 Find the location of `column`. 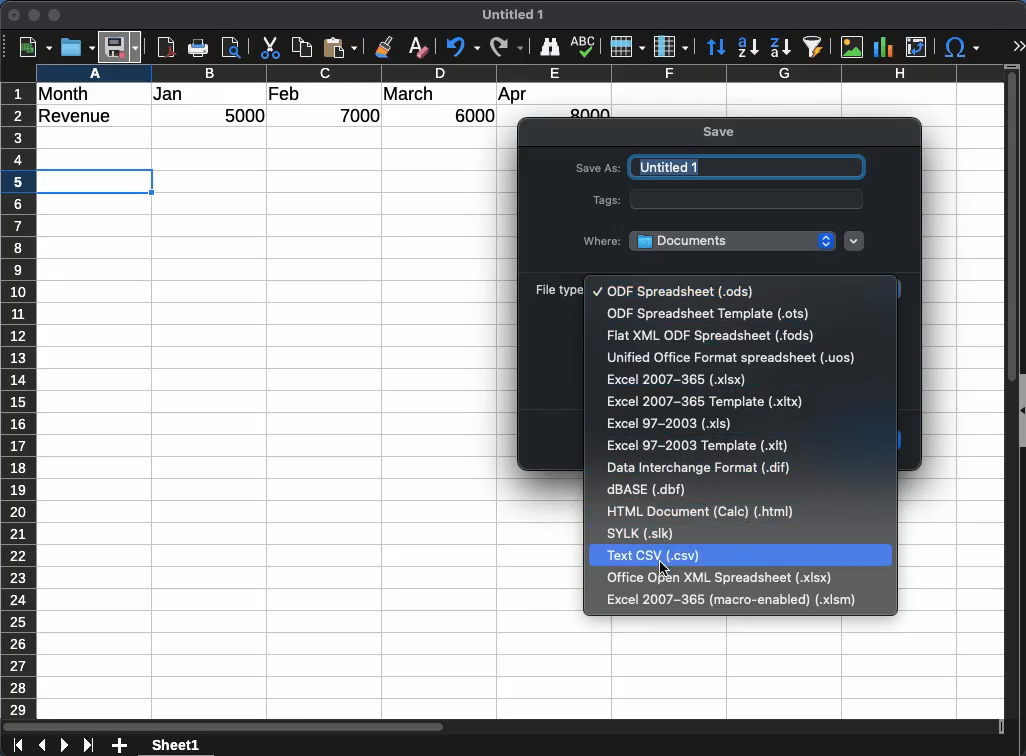

column is located at coordinates (671, 46).